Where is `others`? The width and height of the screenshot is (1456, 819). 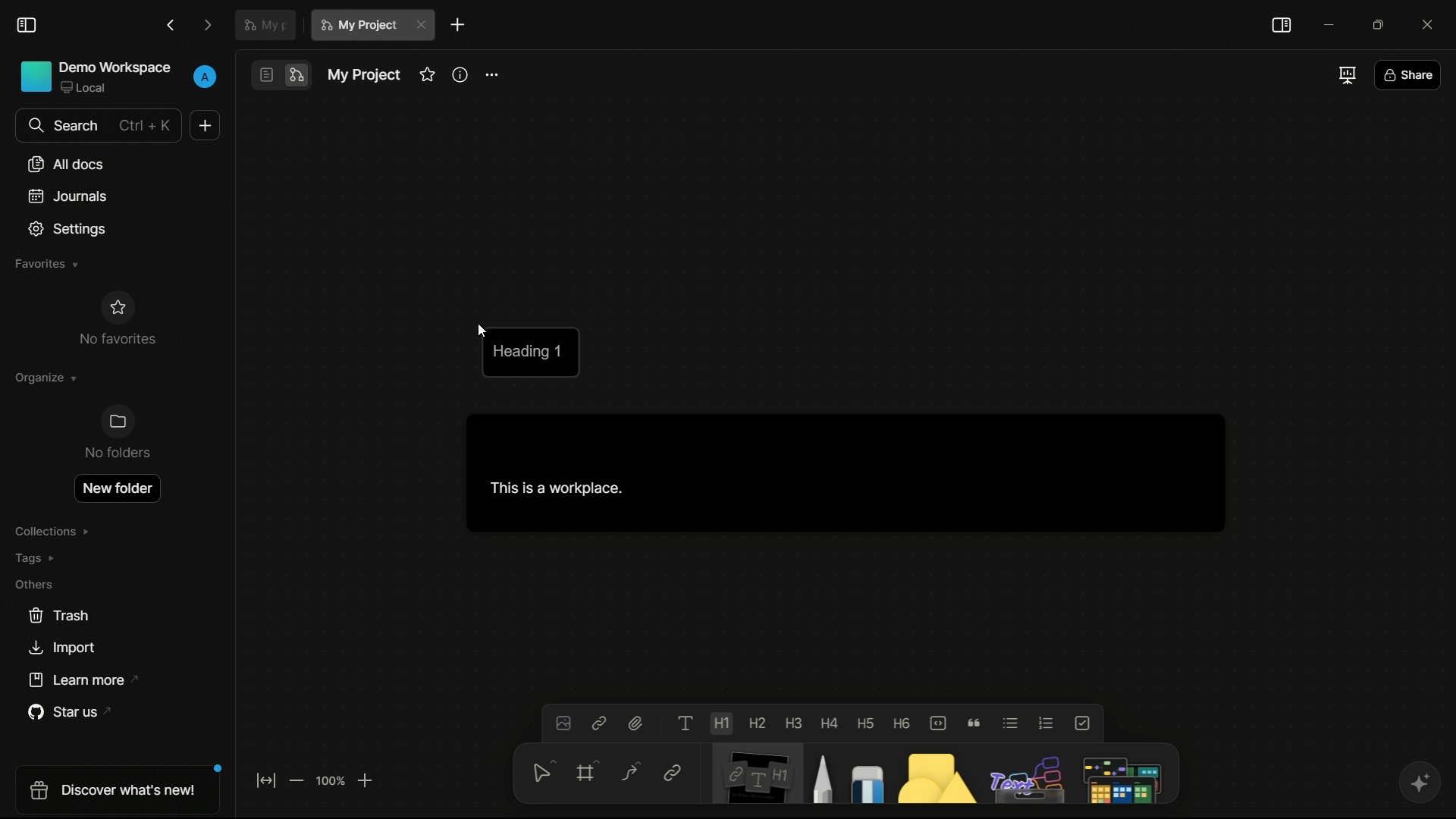 others is located at coordinates (1022, 774).